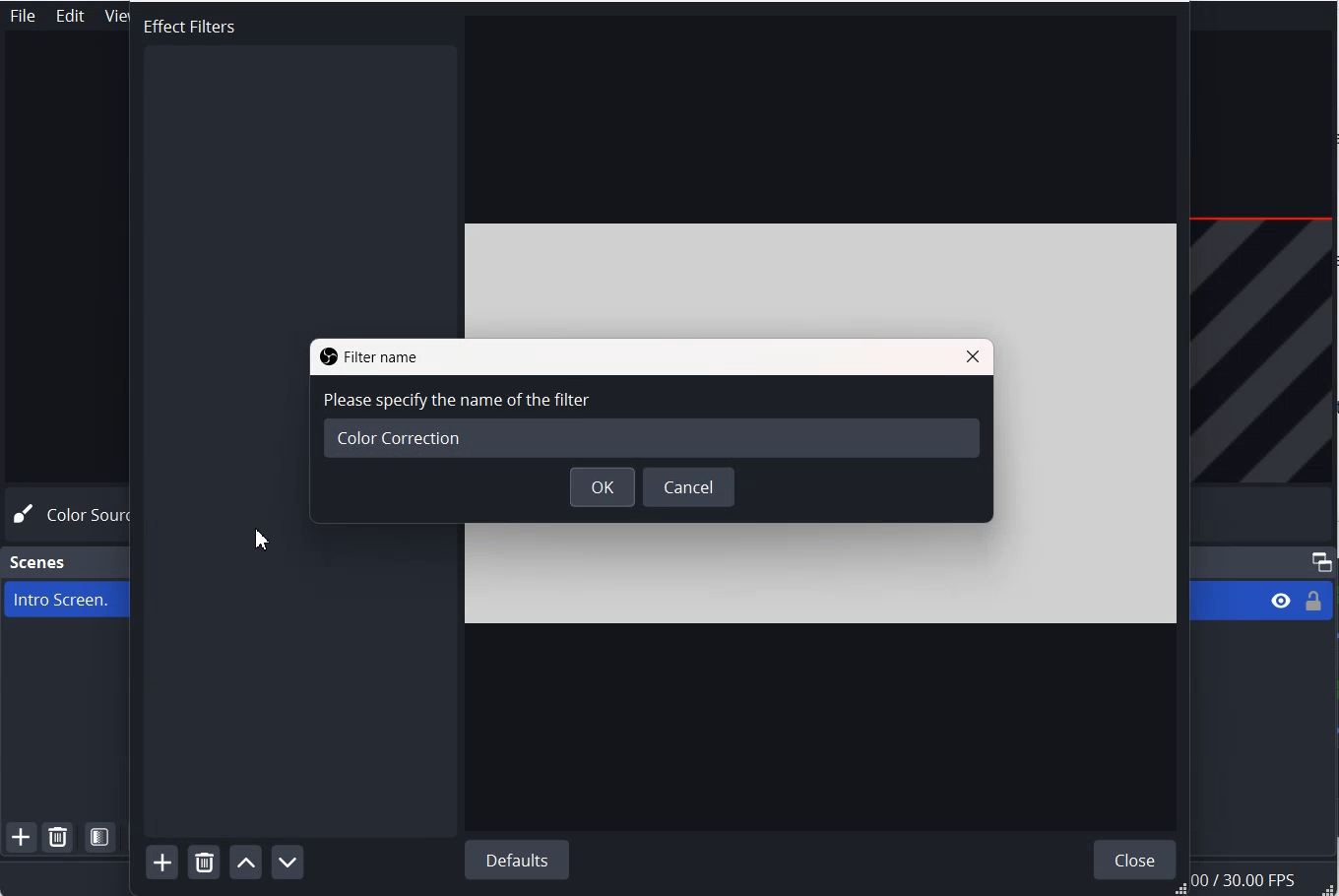 The width and height of the screenshot is (1339, 896). What do you see at coordinates (1313, 601) in the screenshot?
I see `Lock` at bounding box center [1313, 601].